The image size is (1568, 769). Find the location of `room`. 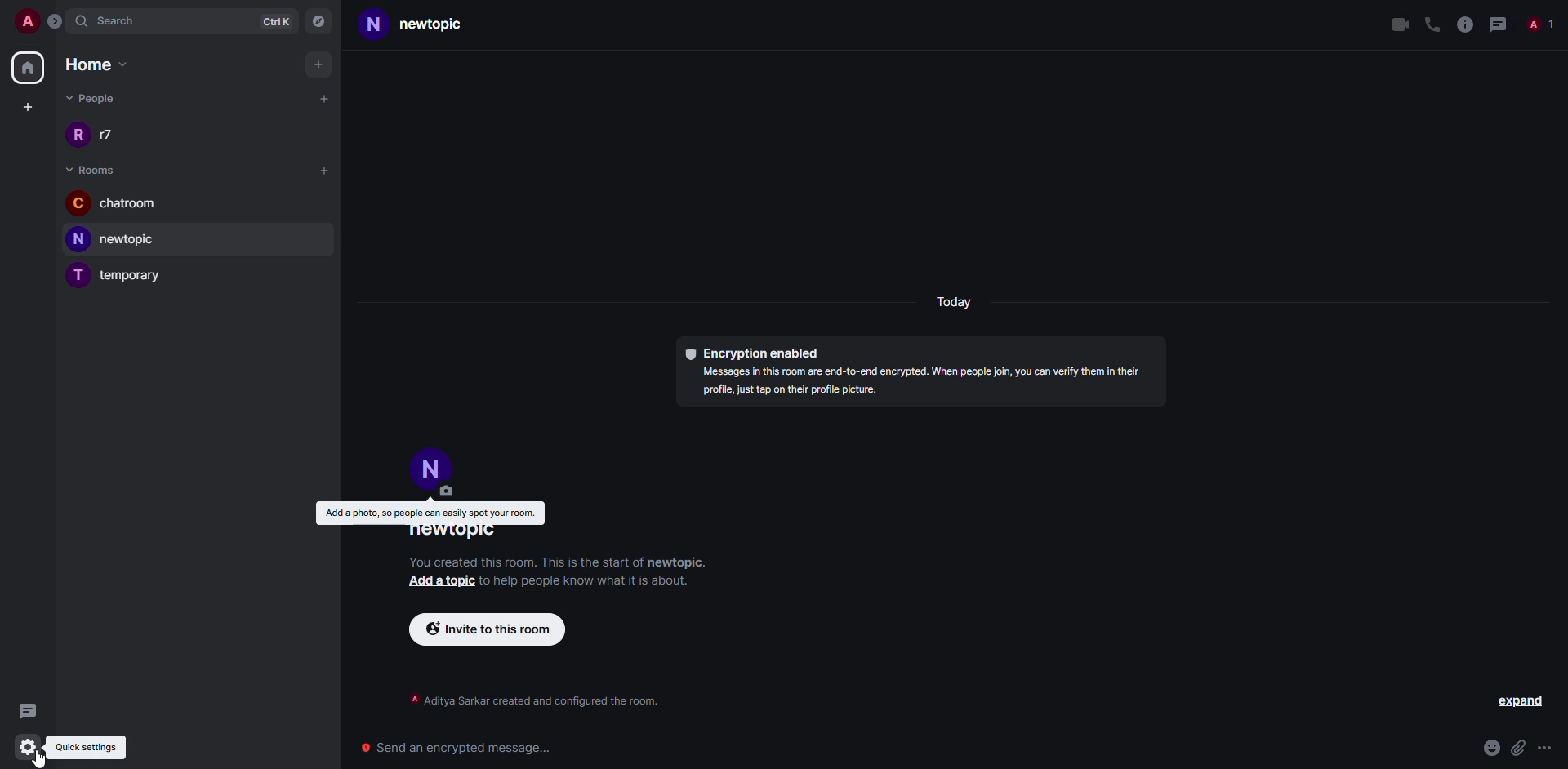

room is located at coordinates (423, 24).